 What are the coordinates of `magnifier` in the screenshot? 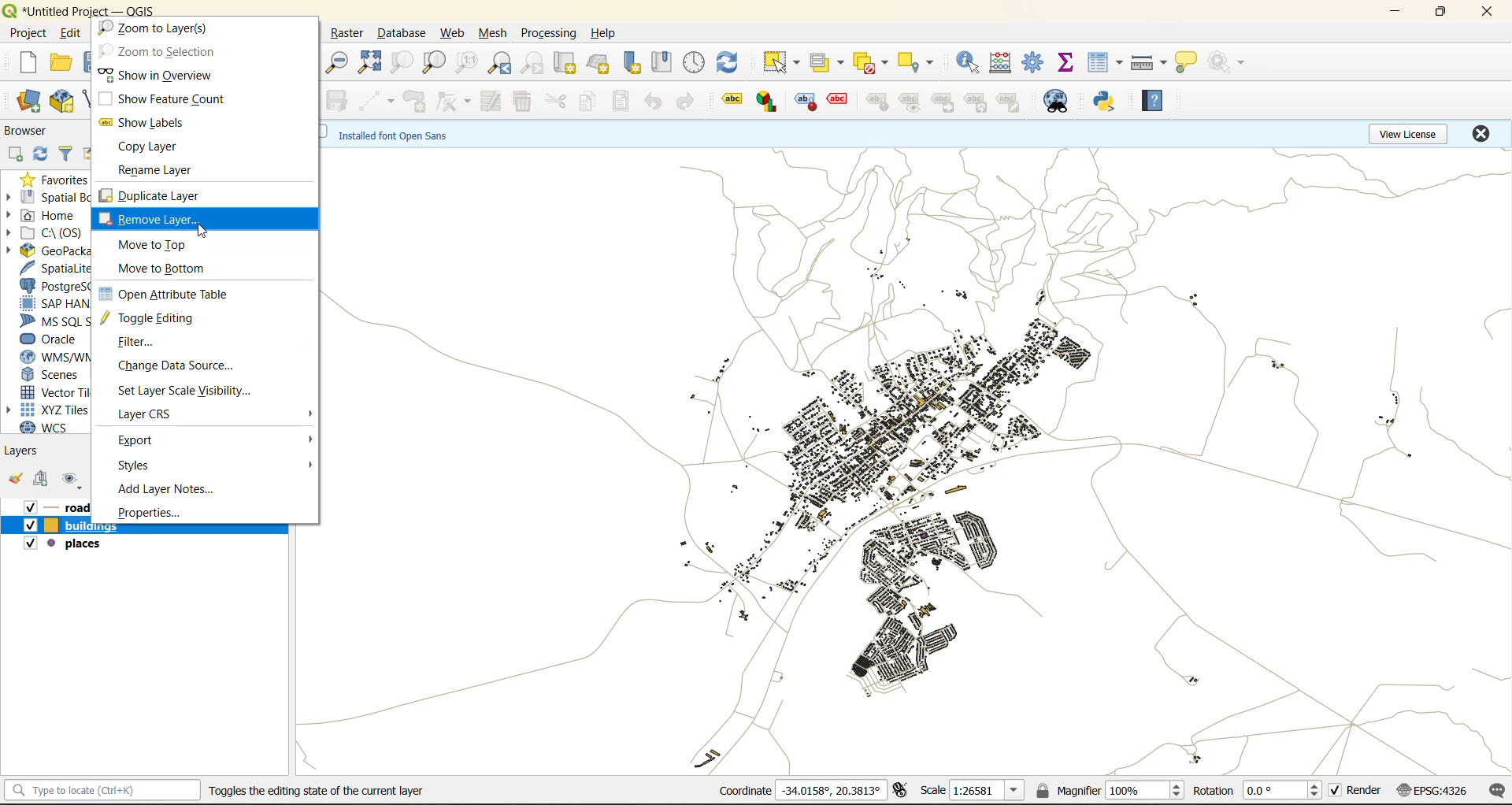 It's located at (1110, 793).